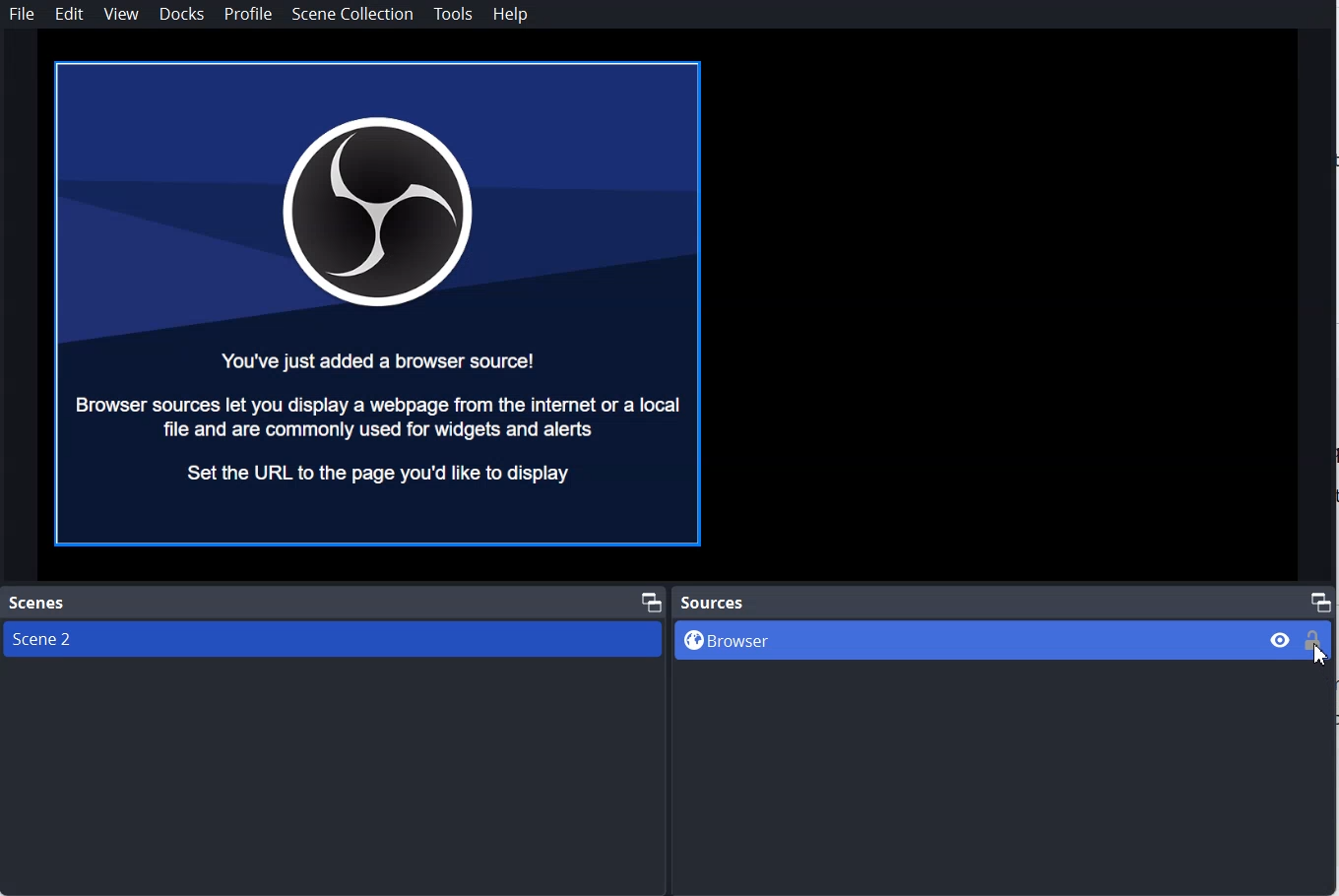  I want to click on Edit, so click(69, 14).